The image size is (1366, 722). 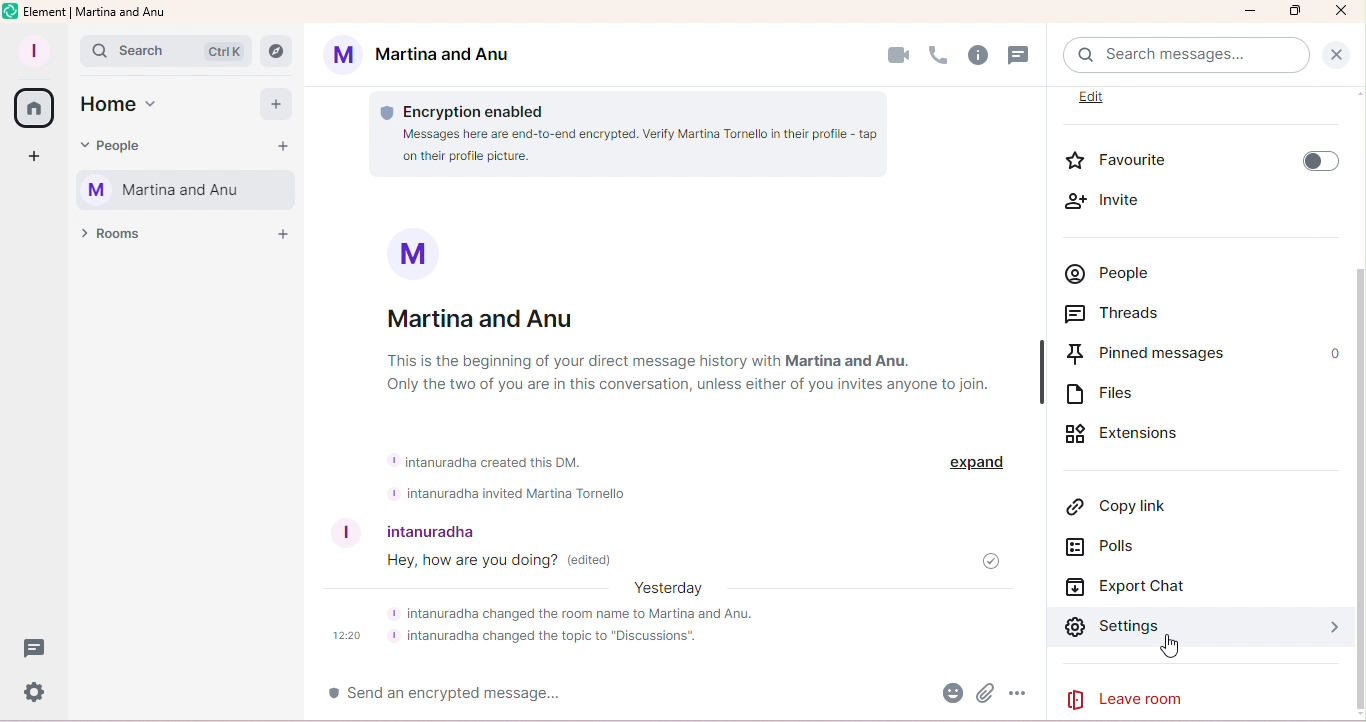 What do you see at coordinates (489, 528) in the screenshot?
I see `User` at bounding box center [489, 528].